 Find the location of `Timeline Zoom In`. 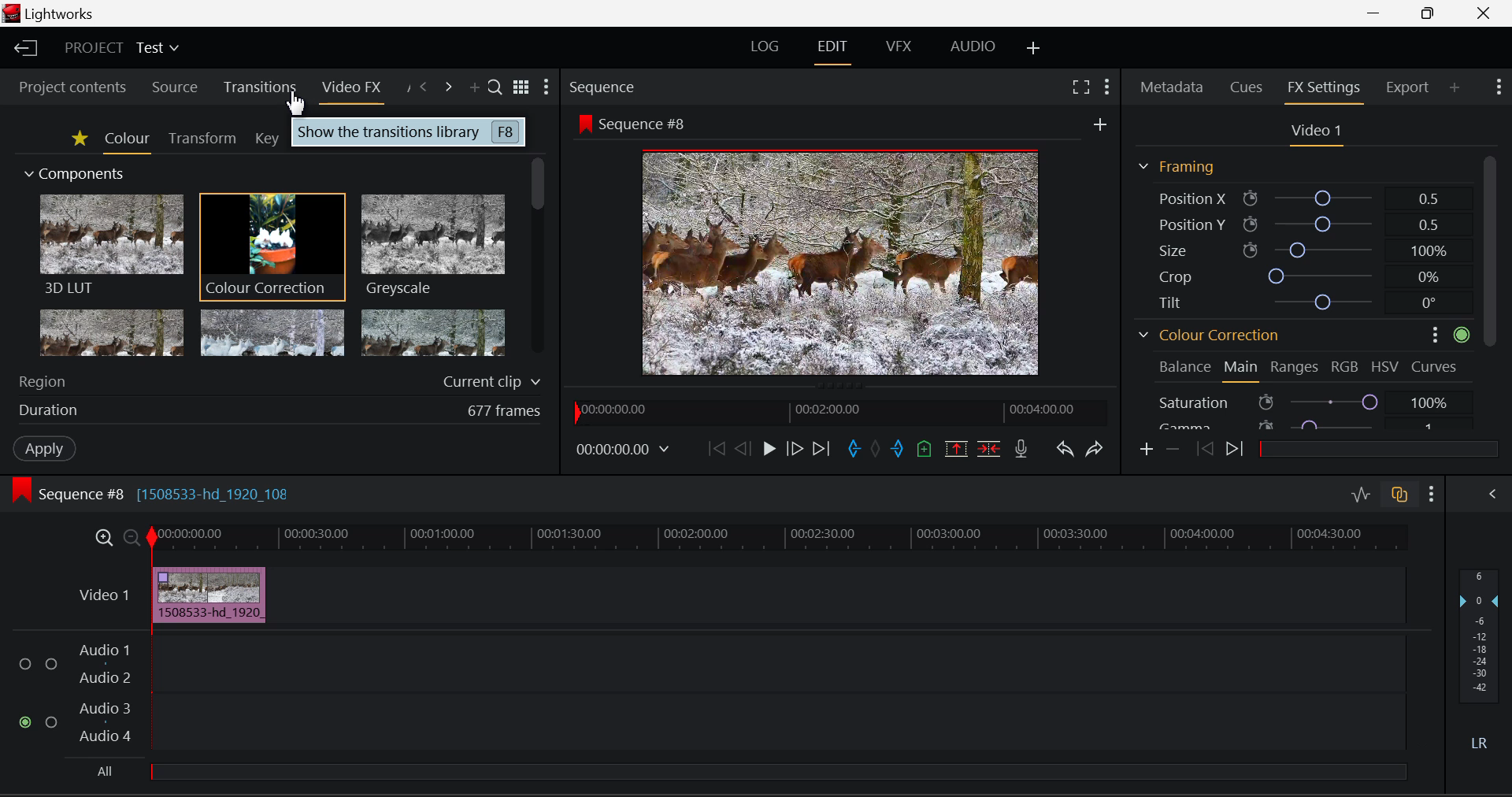

Timeline Zoom In is located at coordinates (103, 539).